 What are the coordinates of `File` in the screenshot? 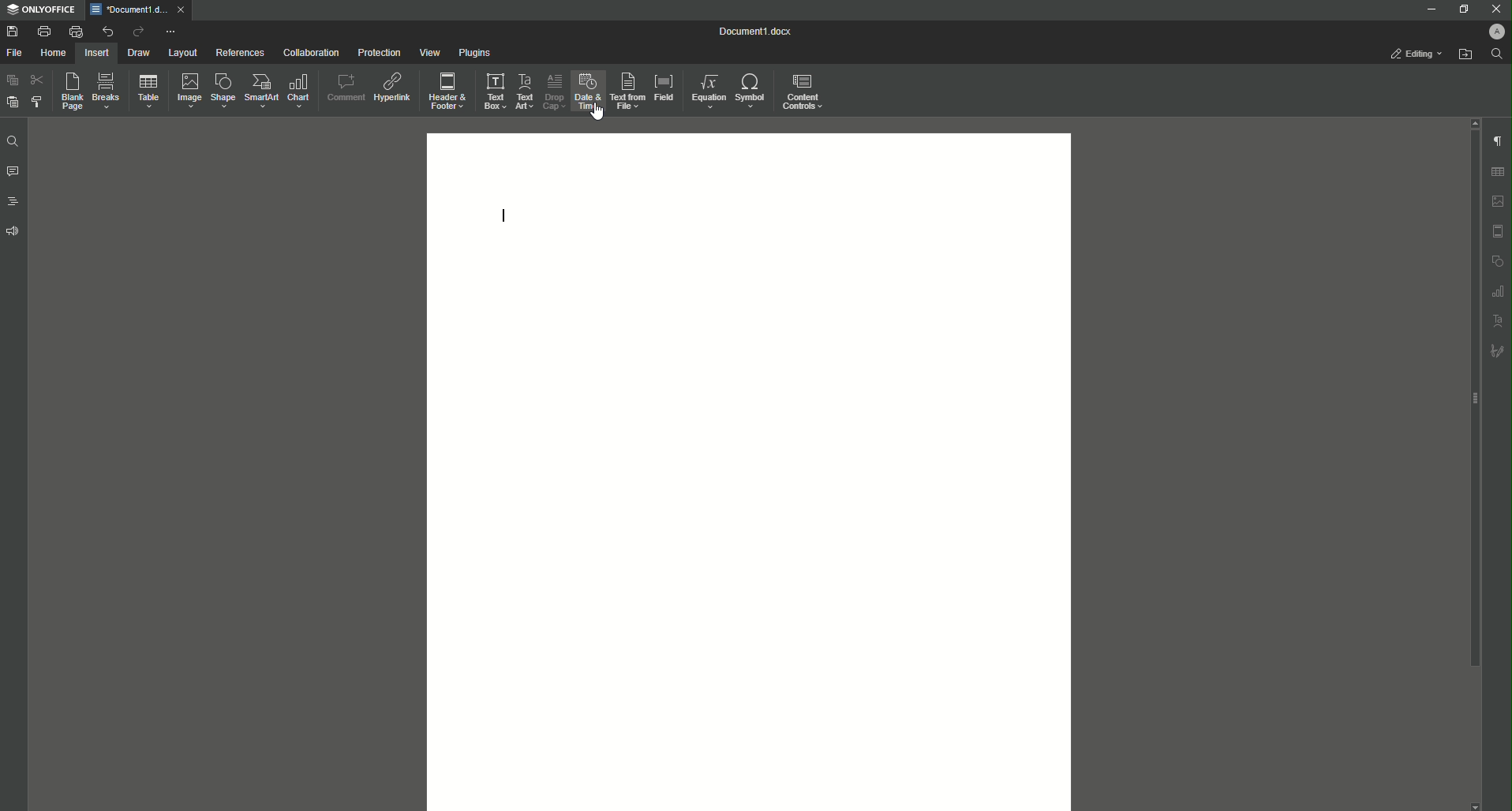 It's located at (17, 53).